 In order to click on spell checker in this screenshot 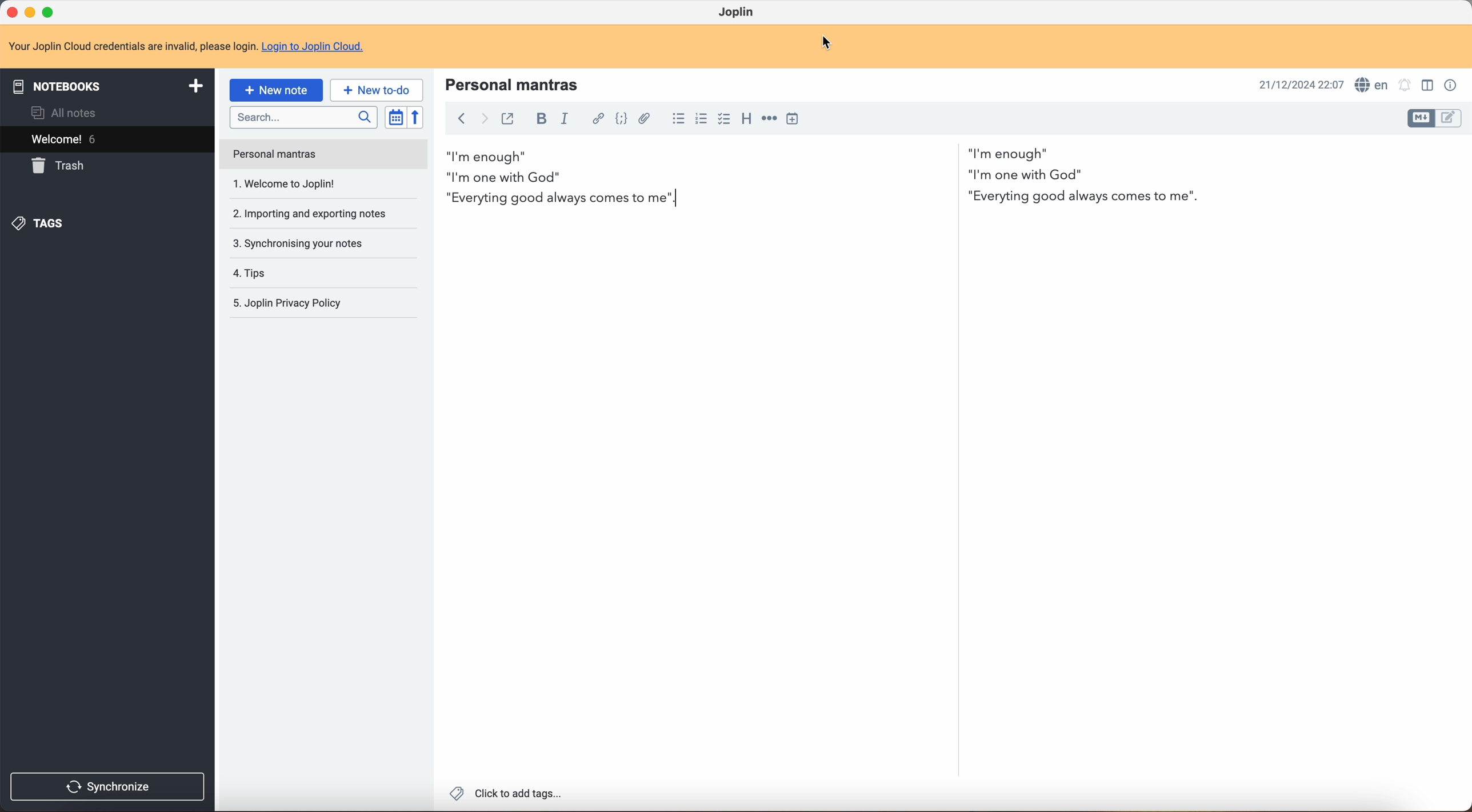, I will do `click(1373, 84)`.